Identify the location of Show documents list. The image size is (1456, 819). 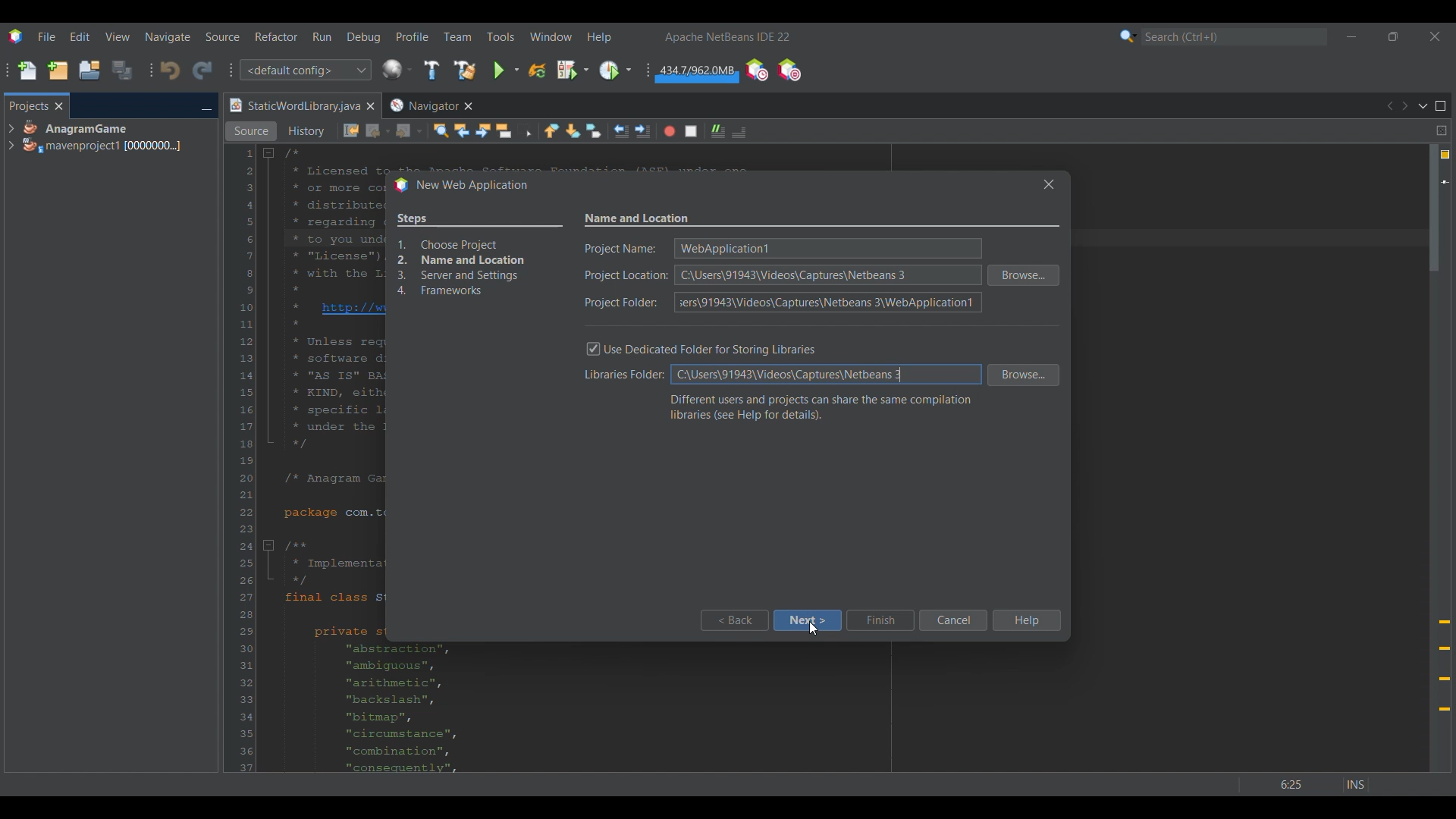
(1423, 105).